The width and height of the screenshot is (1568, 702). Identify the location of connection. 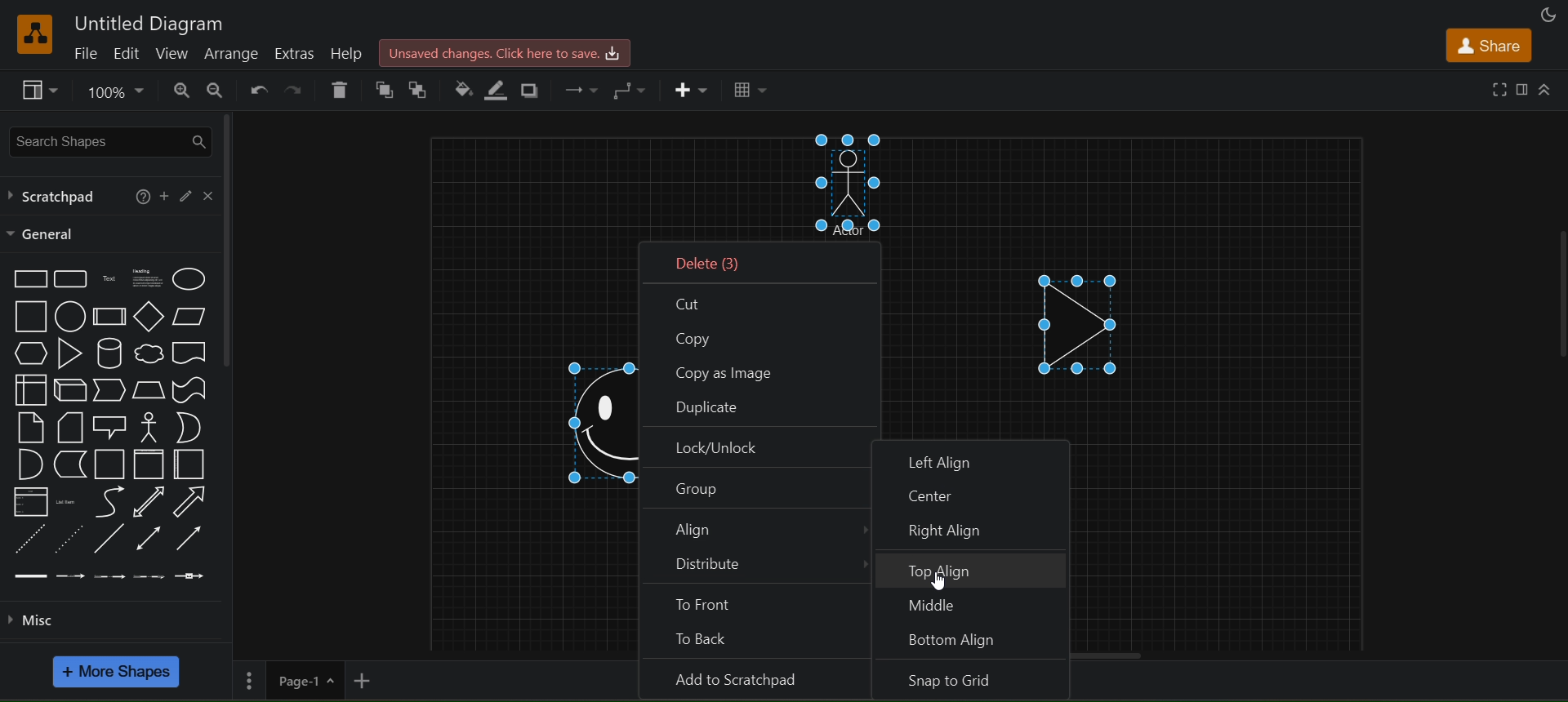
(581, 88).